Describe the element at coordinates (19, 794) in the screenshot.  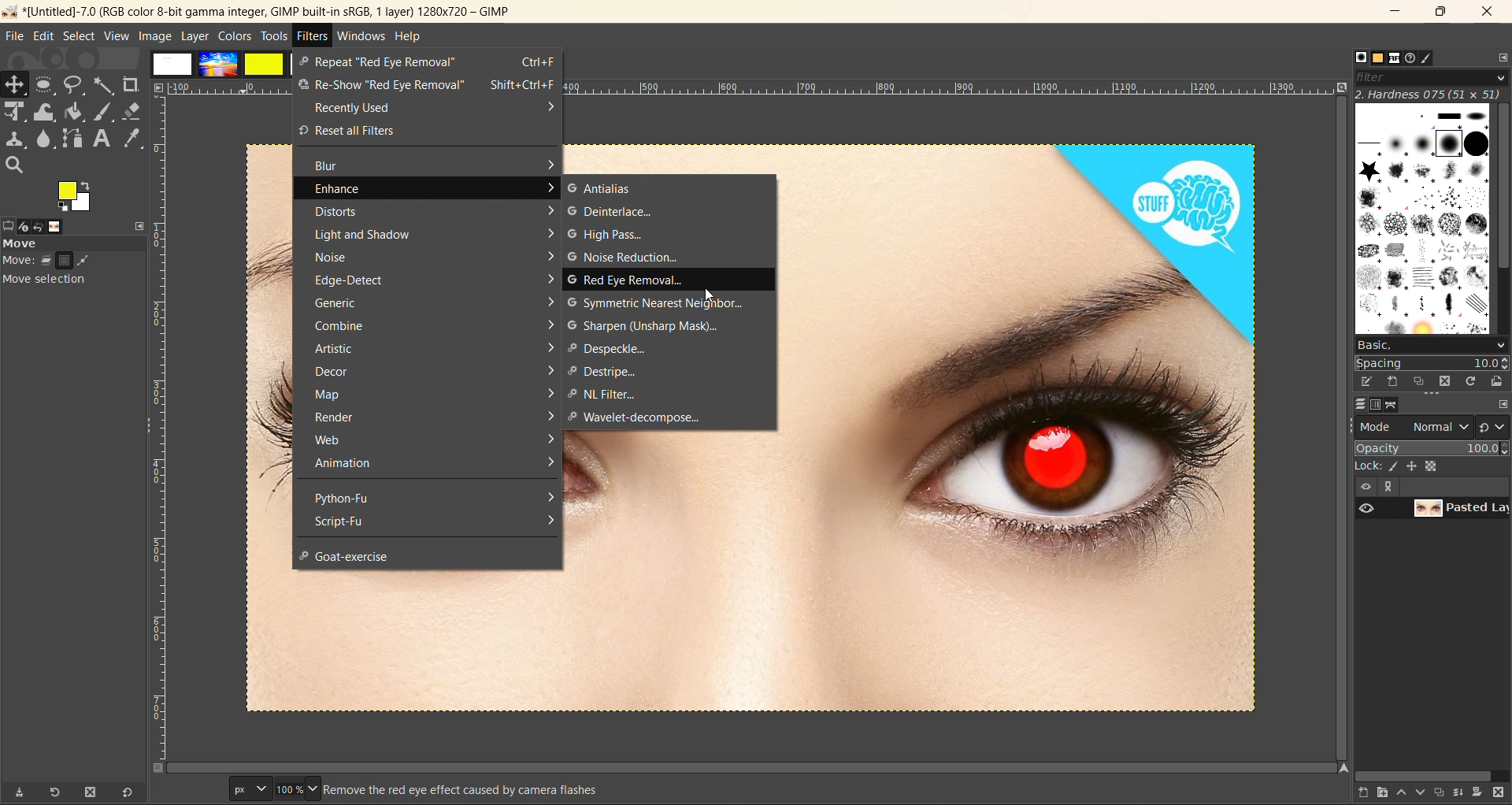
I see `save tool preset` at that location.